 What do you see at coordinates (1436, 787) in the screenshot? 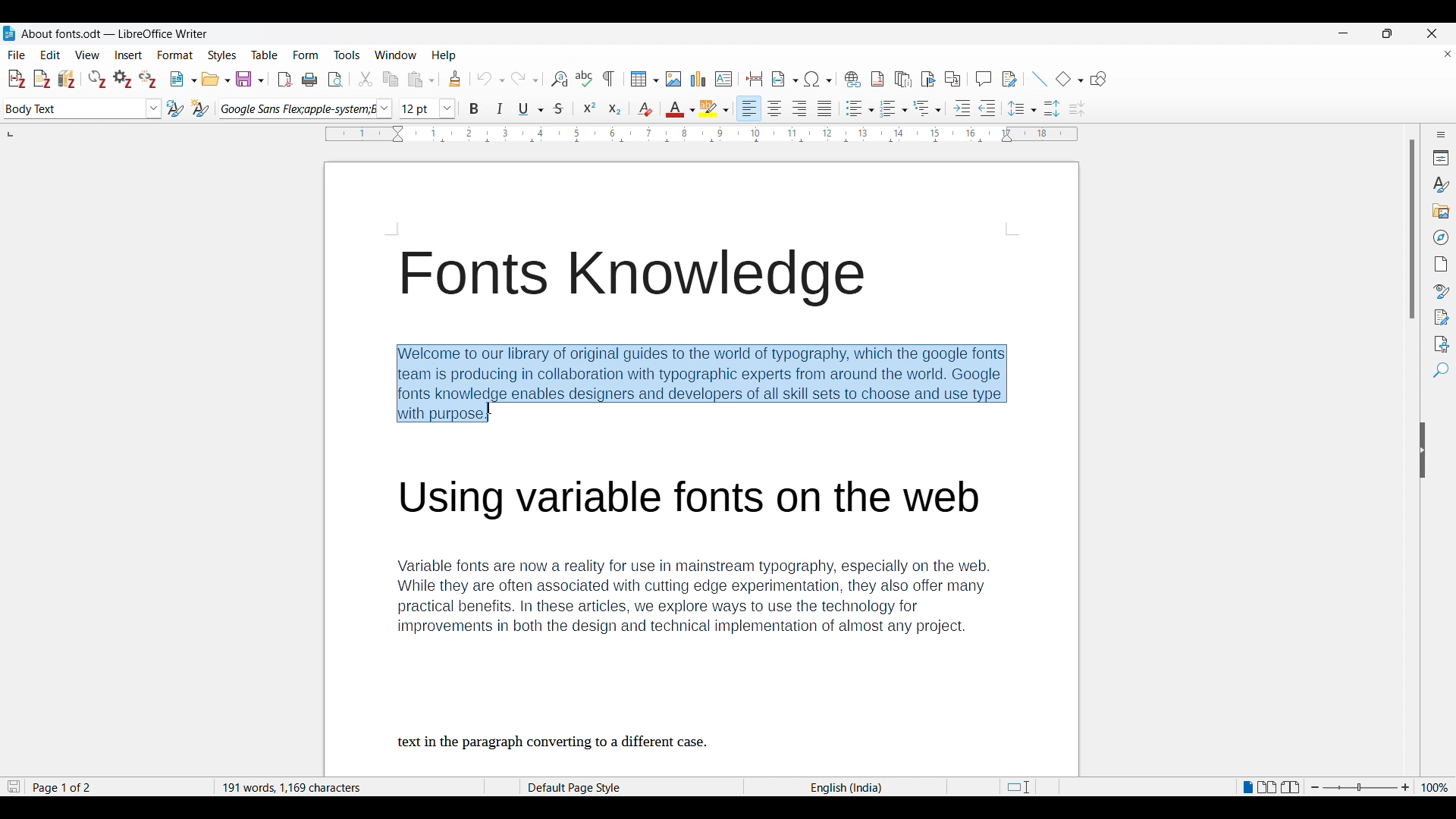
I see `Current zoom factor` at bounding box center [1436, 787].